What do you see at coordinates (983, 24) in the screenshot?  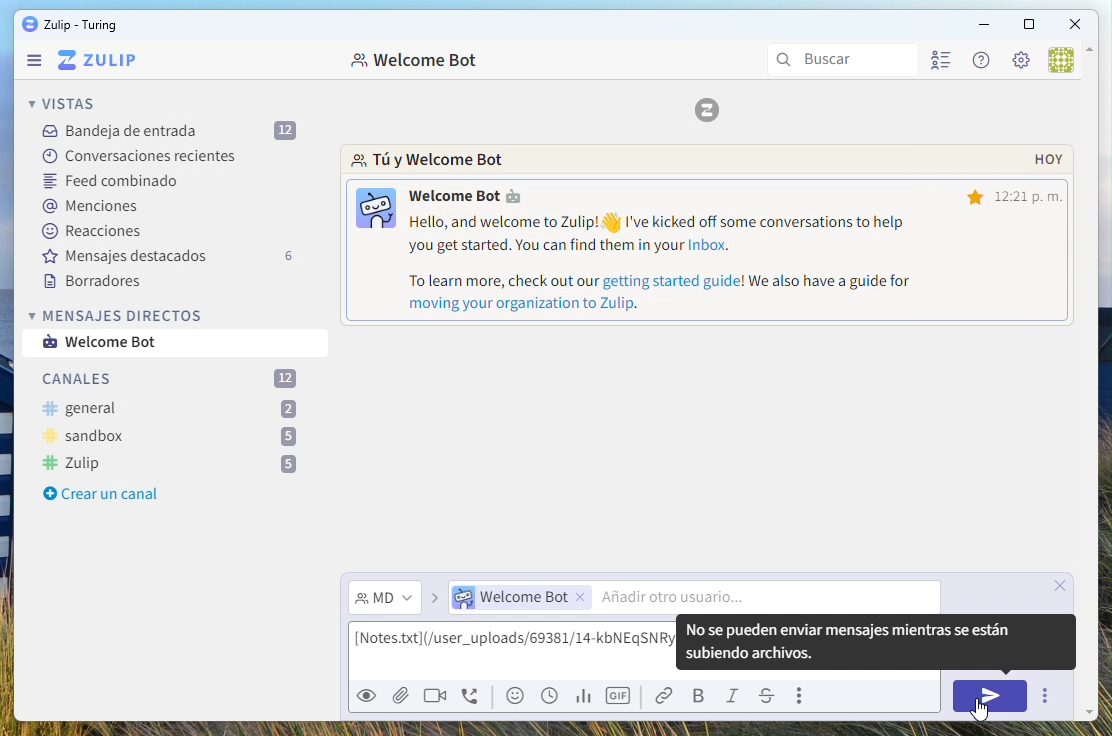 I see `Minimize` at bounding box center [983, 24].